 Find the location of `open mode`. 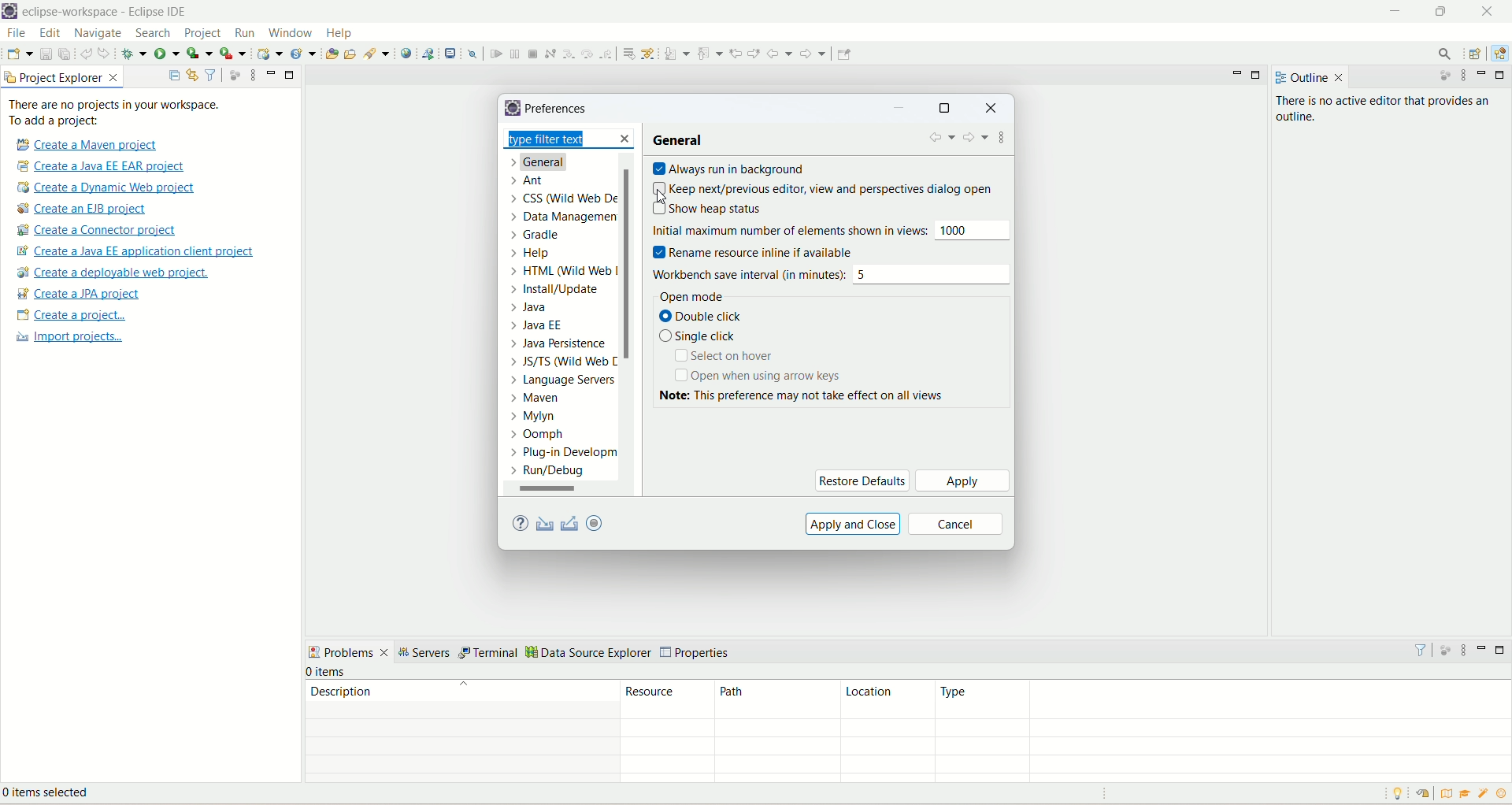

open mode is located at coordinates (688, 295).